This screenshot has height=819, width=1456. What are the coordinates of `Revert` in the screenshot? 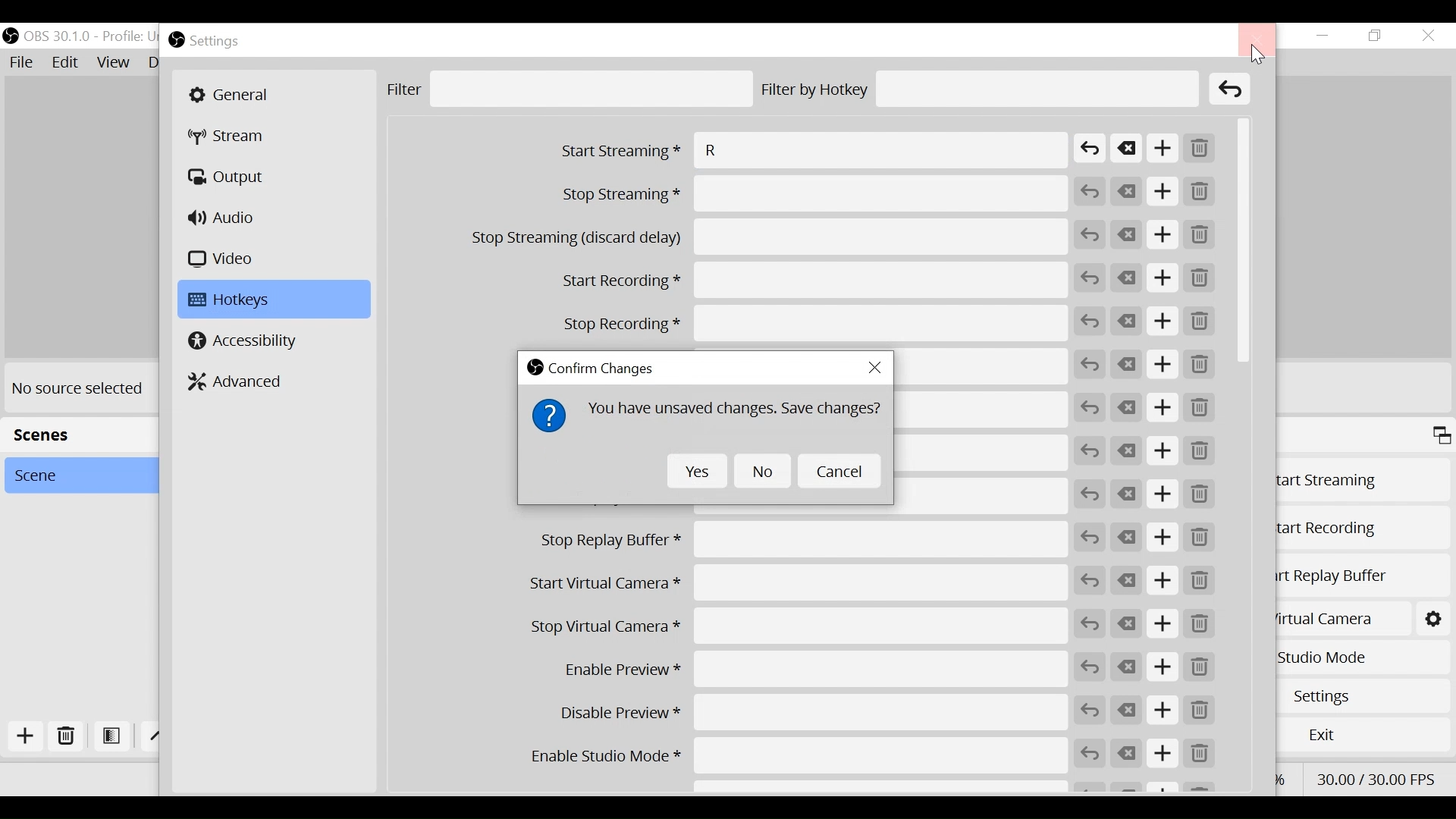 It's located at (1090, 366).